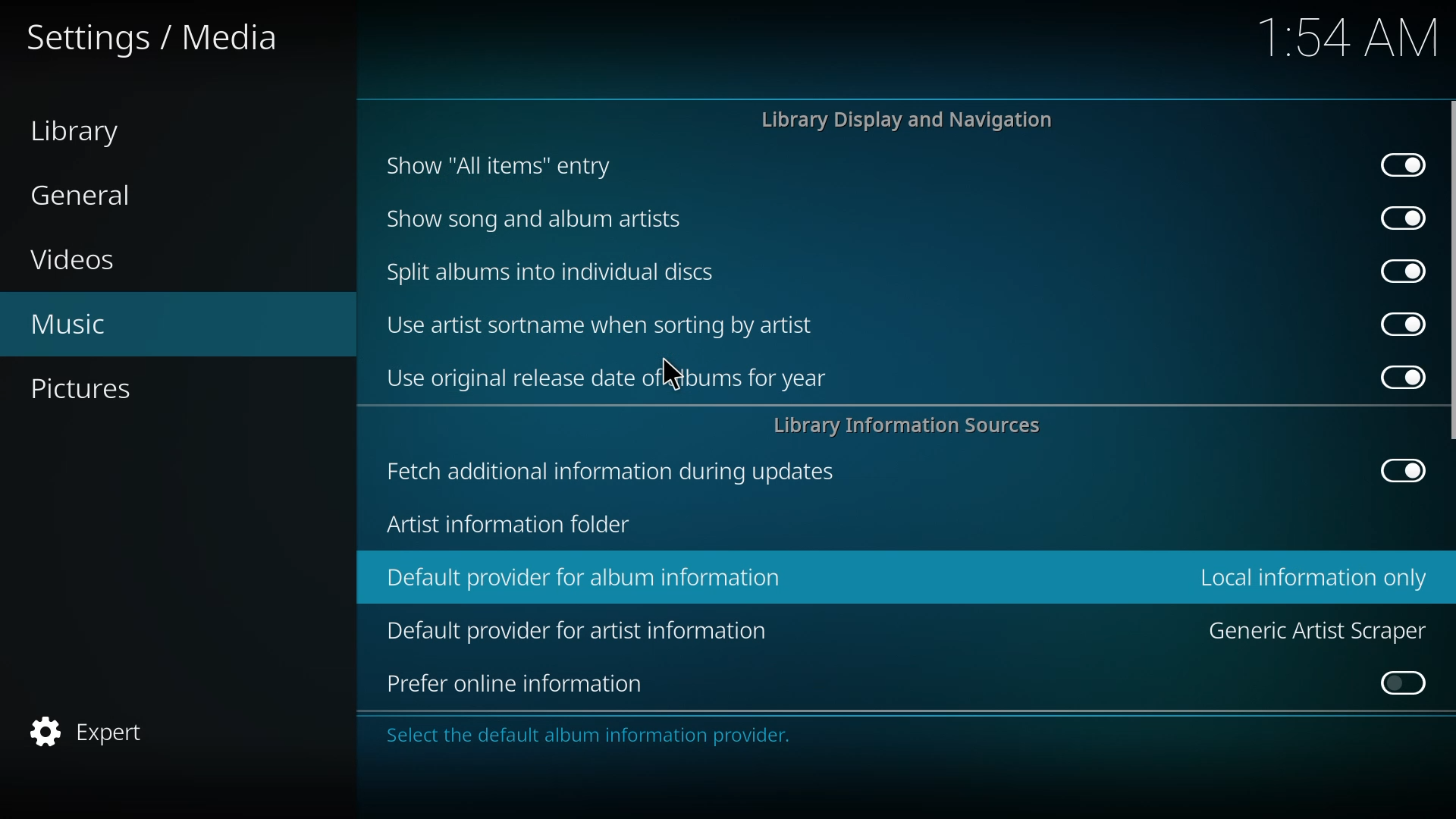  What do you see at coordinates (610, 326) in the screenshot?
I see `use artist sortname when sorting` at bounding box center [610, 326].